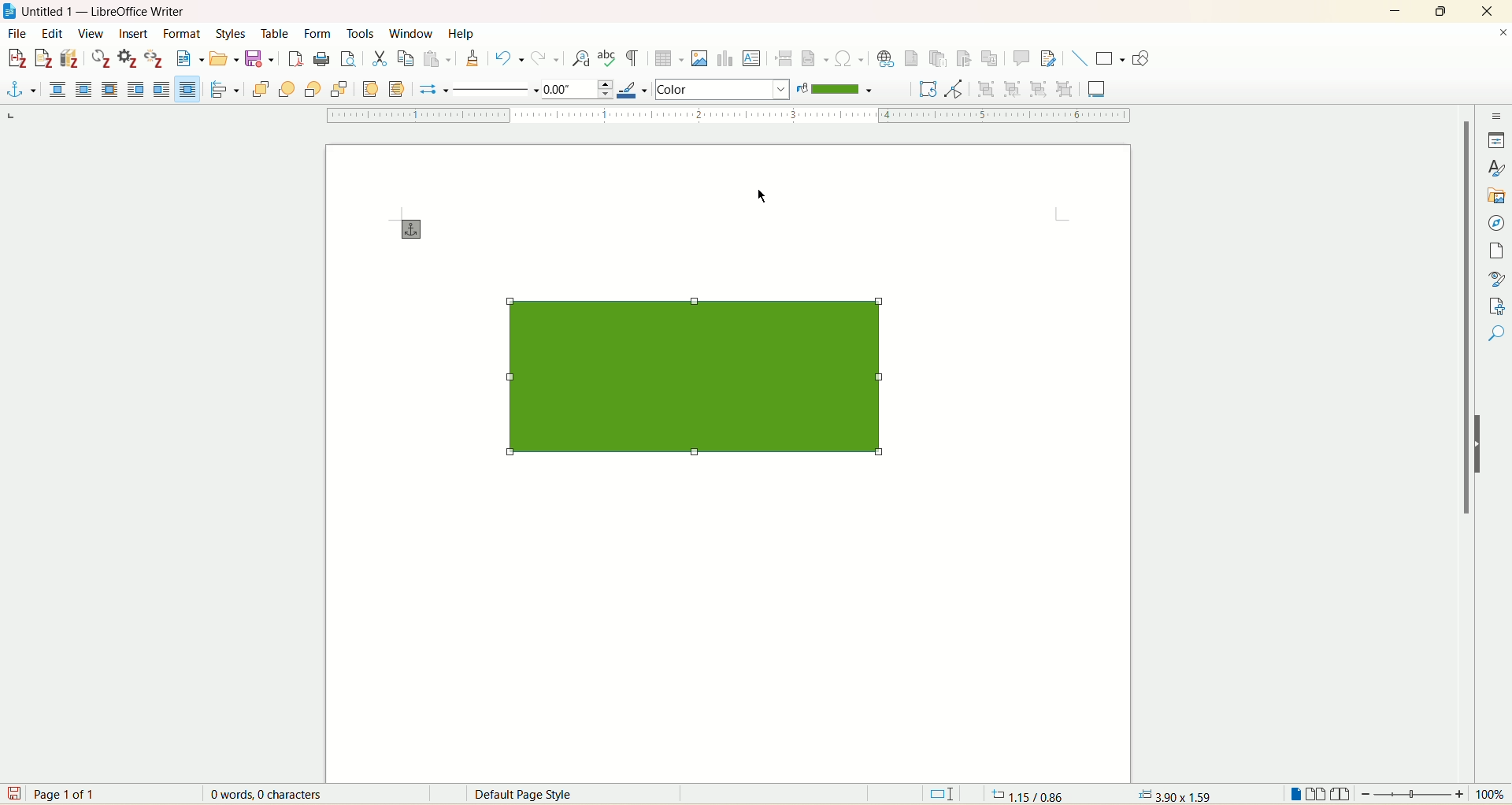 The image size is (1512, 805). What do you see at coordinates (939, 59) in the screenshot?
I see `insert endnote` at bounding box center [939, 59].